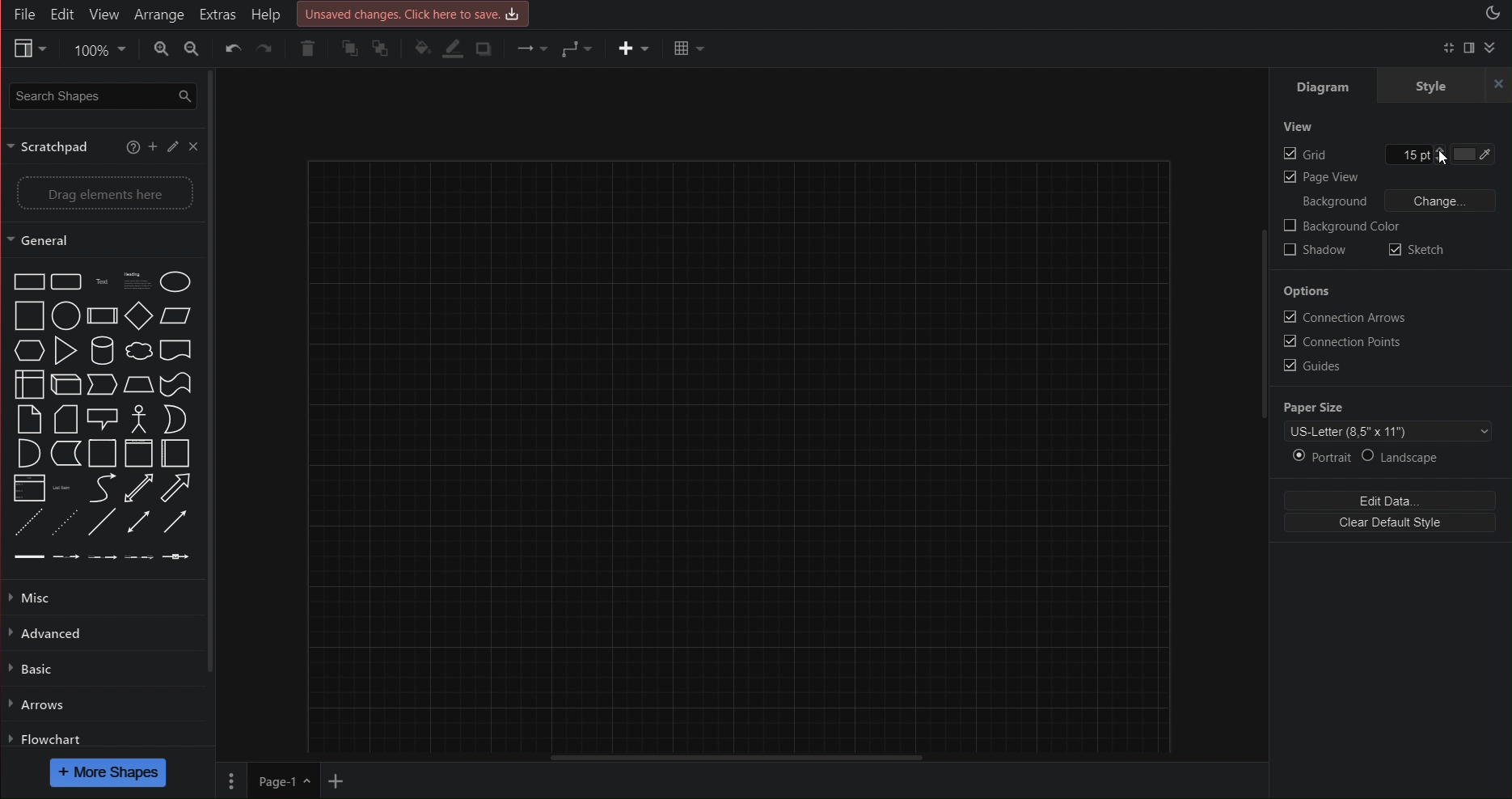 The height and width of the screenshot is (799, 1512). Describe the element at coordinates (1447, 49) in the screenshot. I see `Fullscreen` at that location.